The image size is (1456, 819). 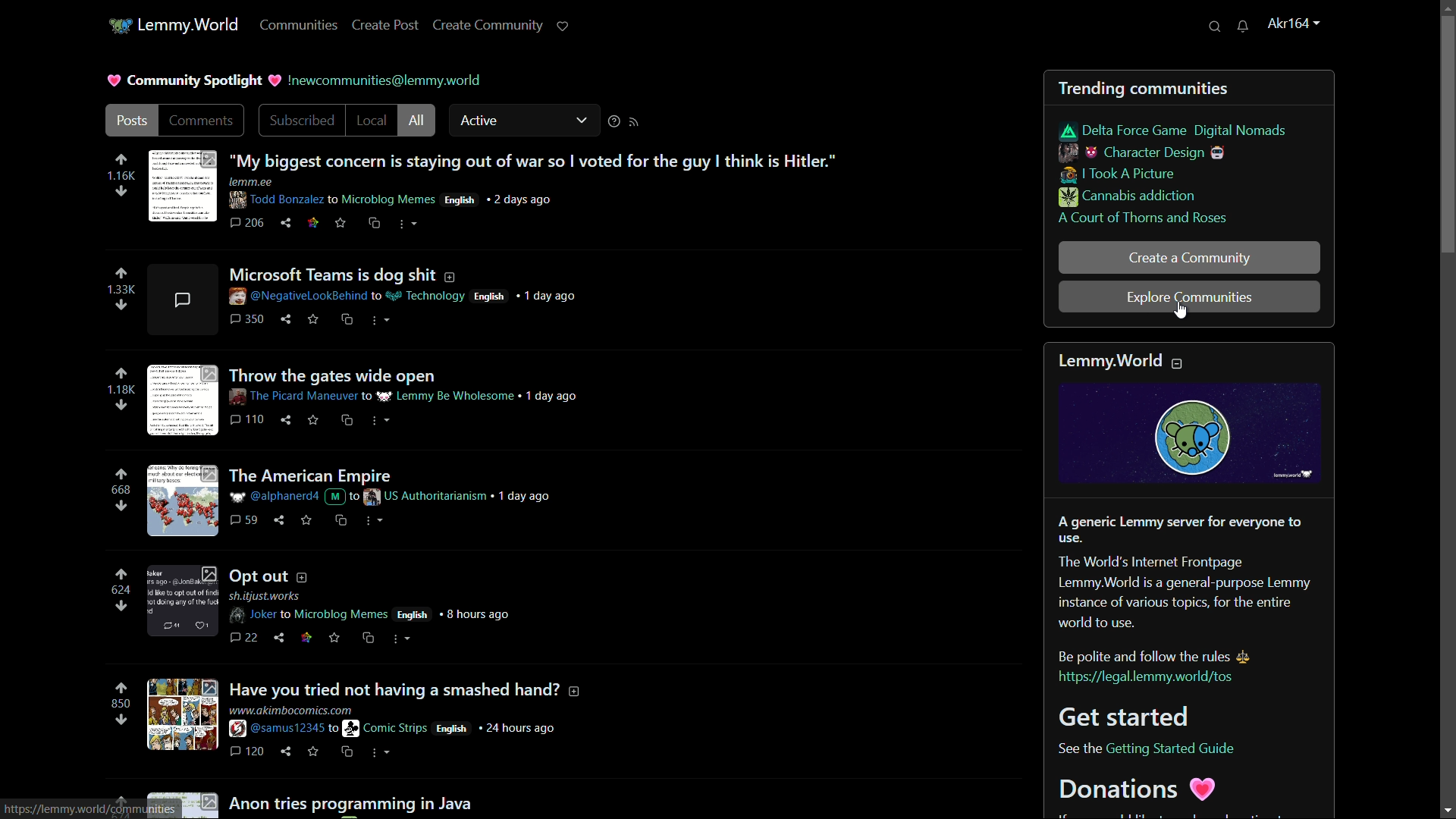 What do you see at coordinates (121, 177) in the screenshot?
I see `number of votes` at bounding box center [121, 177].